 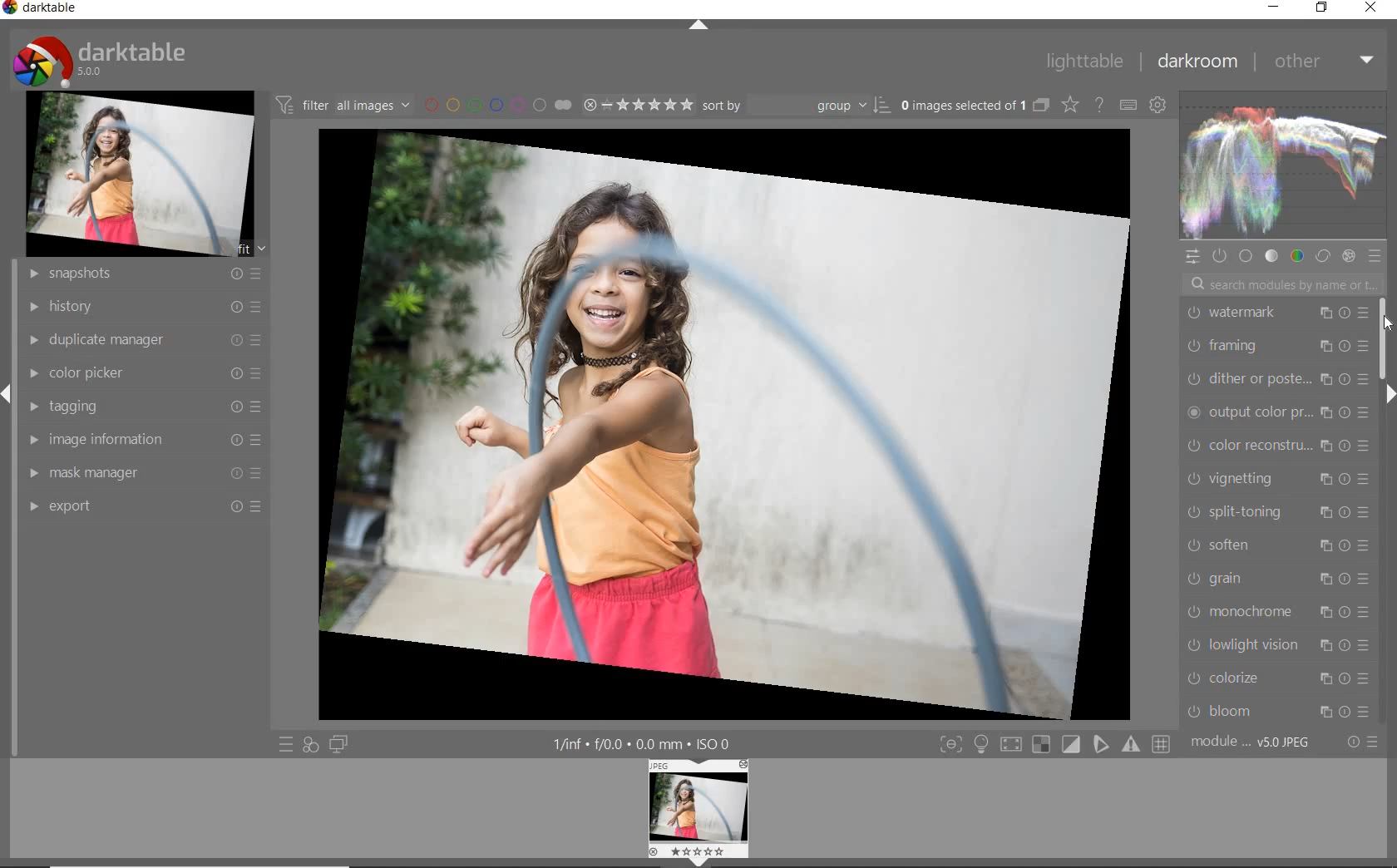 I want to click on restore, so click(x=1324, y=7).